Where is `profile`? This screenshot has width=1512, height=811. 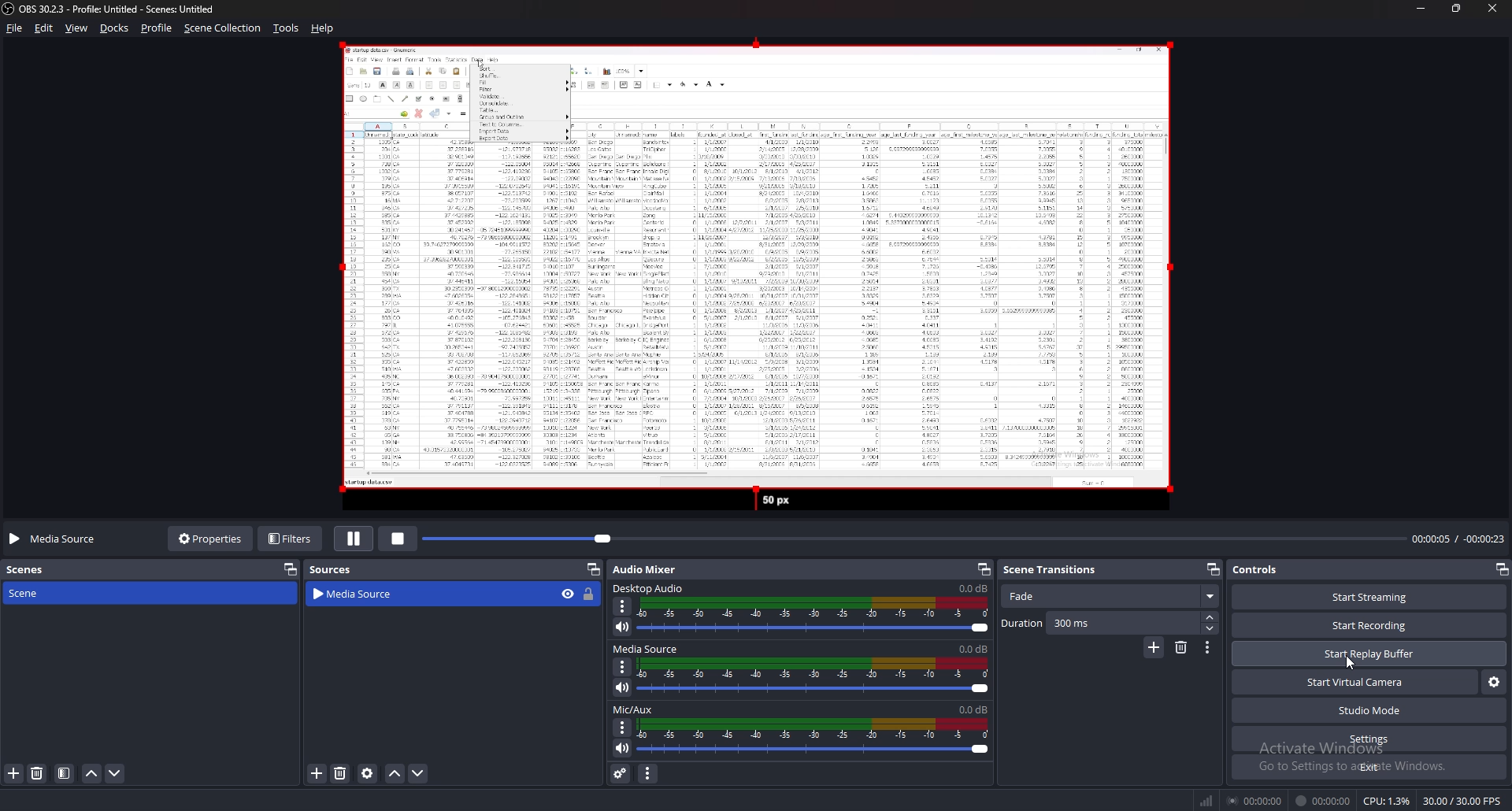 profile is located at coordinates (157, 28).